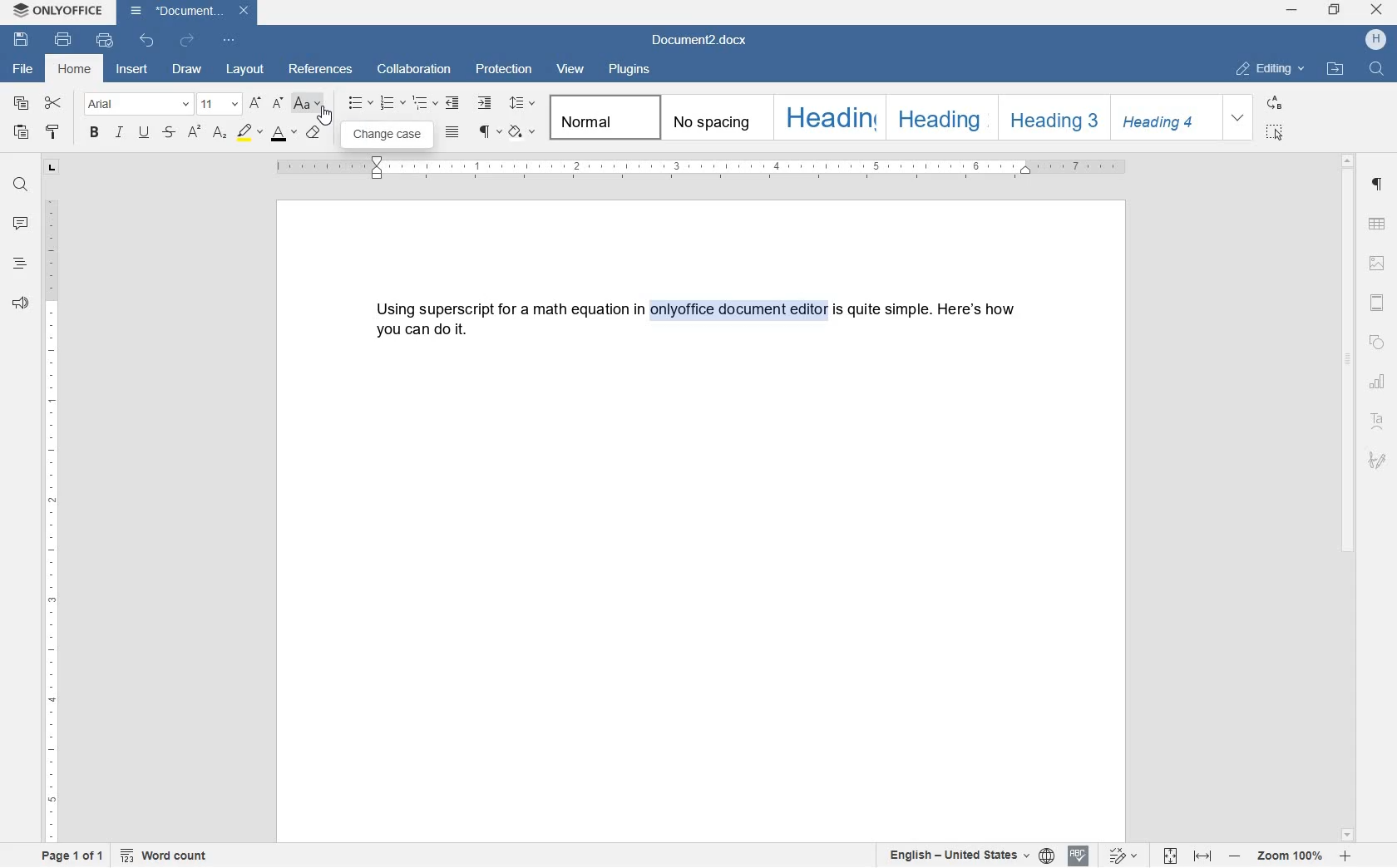  I want to click on restore, so click(1335, 9).